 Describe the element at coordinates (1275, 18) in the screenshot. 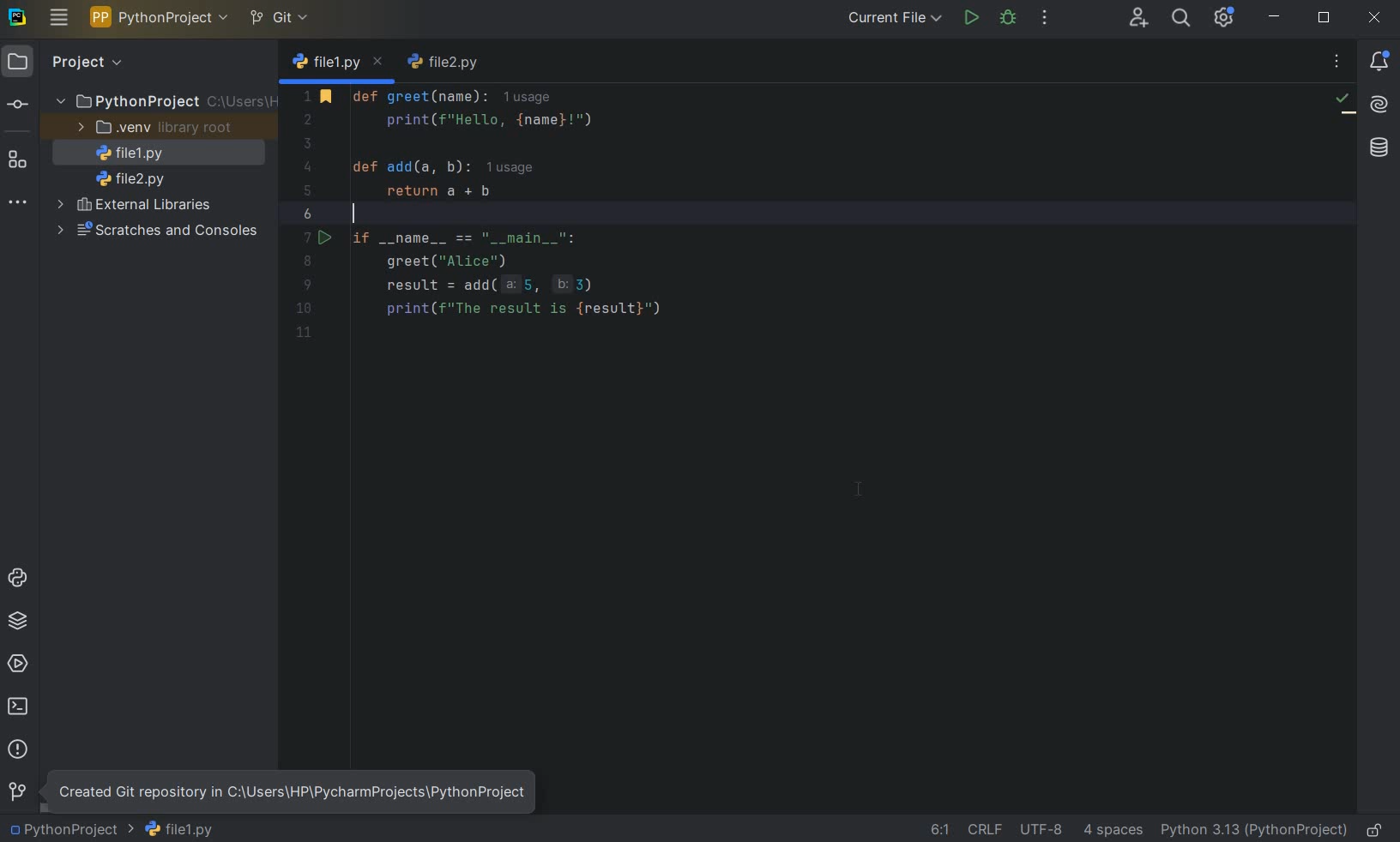

I see `minimize` at that location.